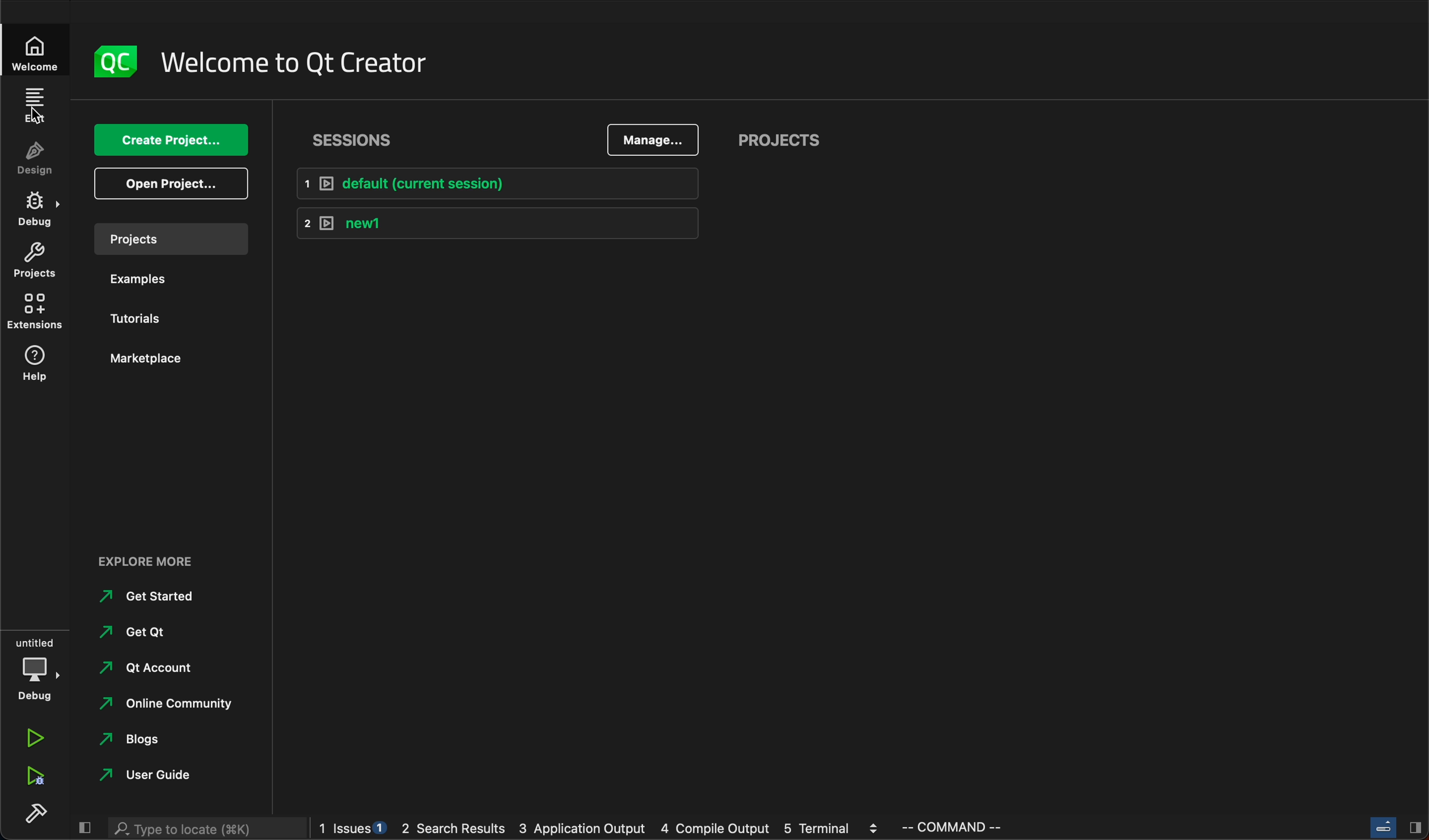 This screenshot has height=840, width=1429. I want to click on account, so click(150, 668).